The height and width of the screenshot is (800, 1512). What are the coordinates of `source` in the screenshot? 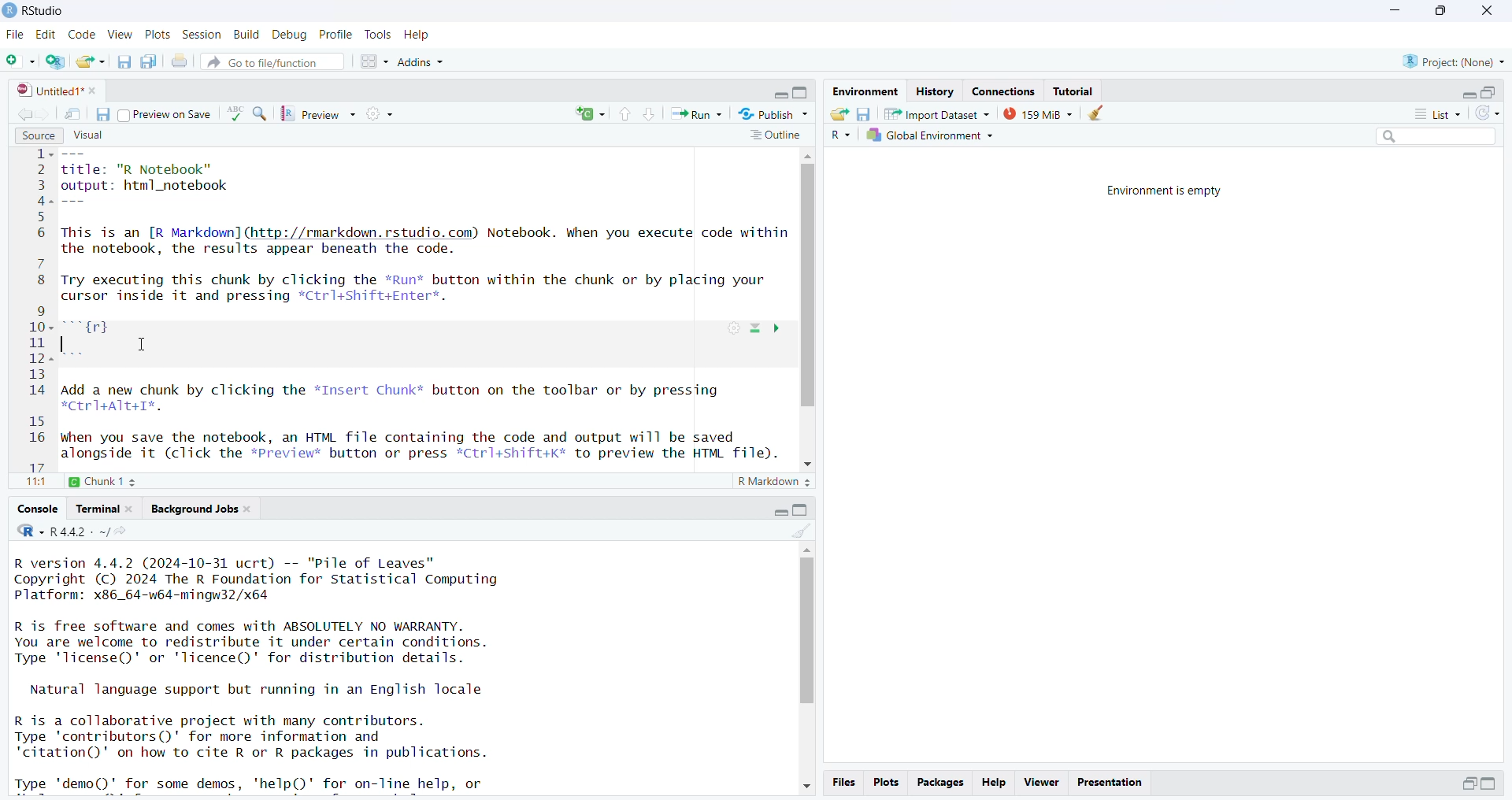 It's located at (36, 135).